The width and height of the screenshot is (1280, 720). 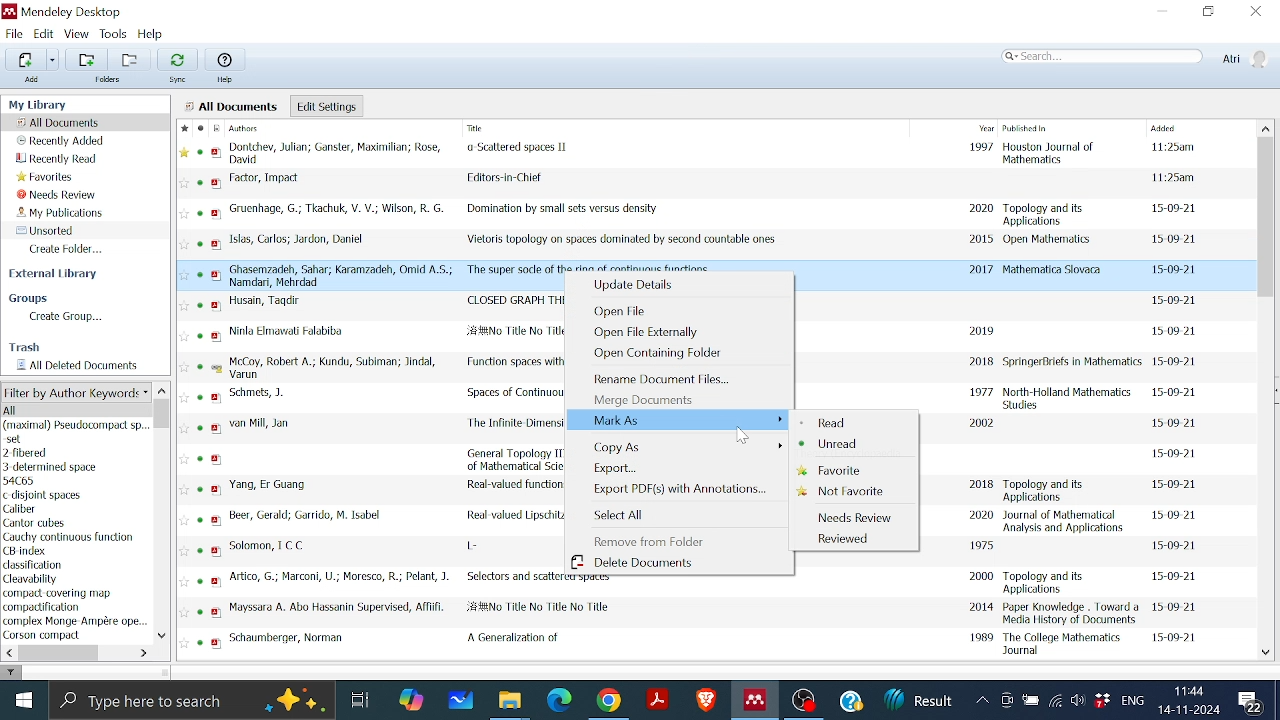 What do you see at coordinates (21, 510) in the screenshot?
I see `Caliber` at bounding box center [21, 510].